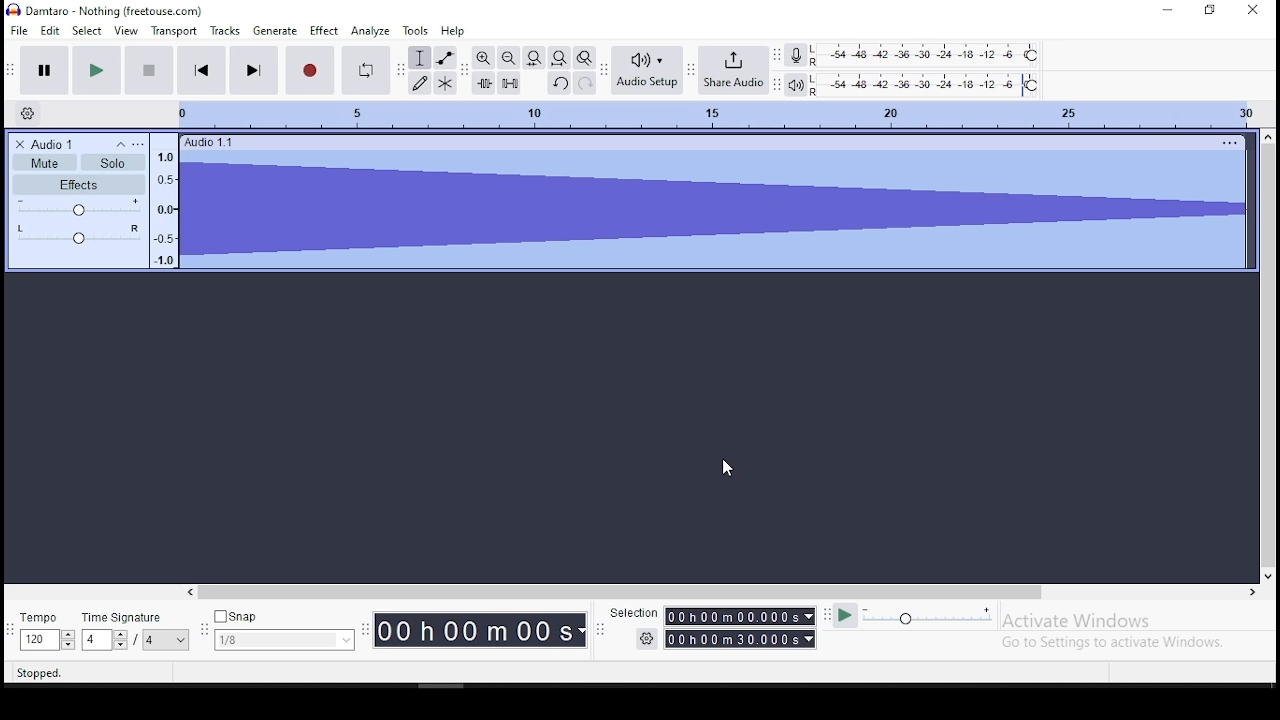  I want to click on restore, so click(1212, 10).